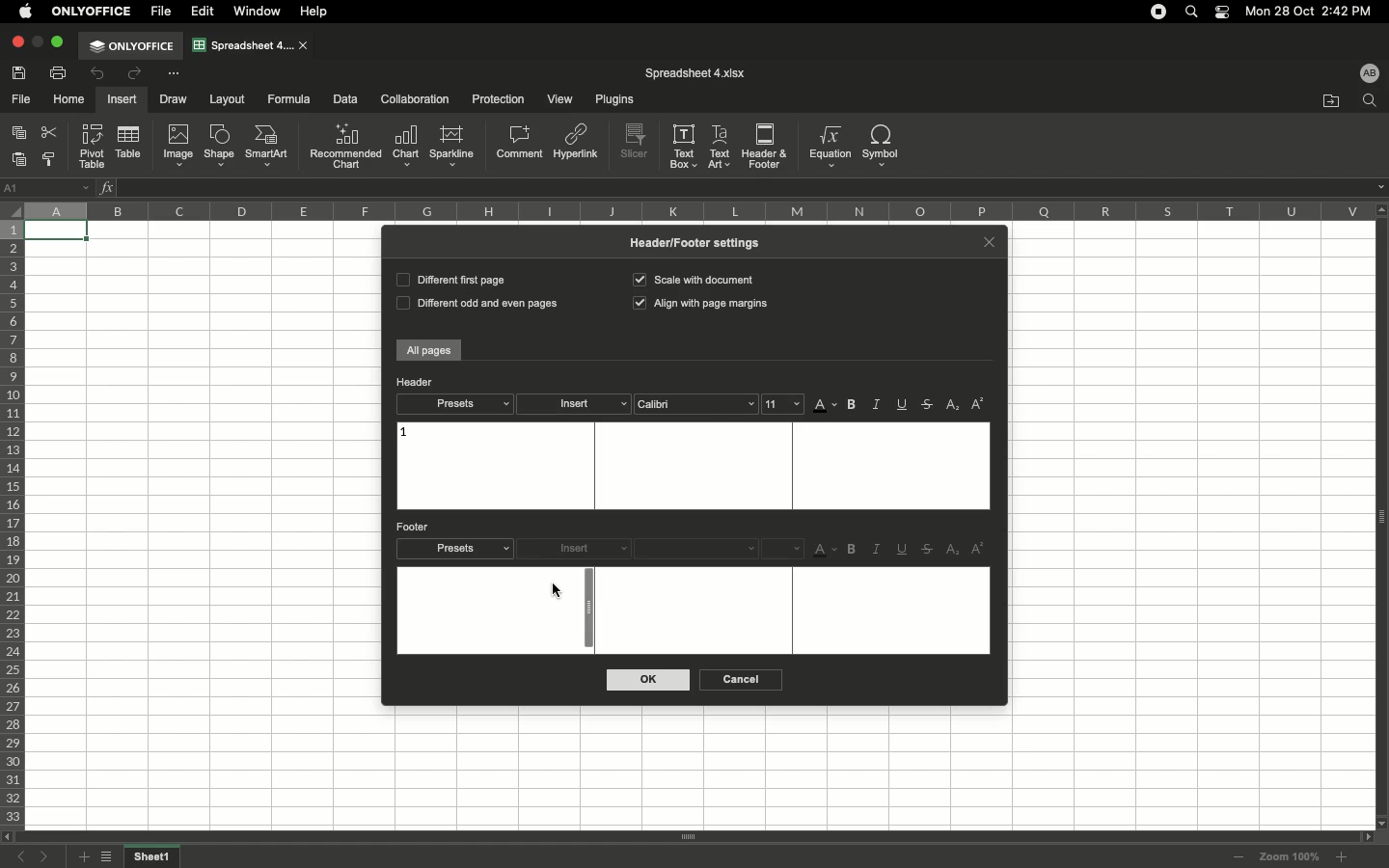  What do you see at coordinates (11, 207) in the screenshot?
I see `Selector` at bounding box center [11, 207].